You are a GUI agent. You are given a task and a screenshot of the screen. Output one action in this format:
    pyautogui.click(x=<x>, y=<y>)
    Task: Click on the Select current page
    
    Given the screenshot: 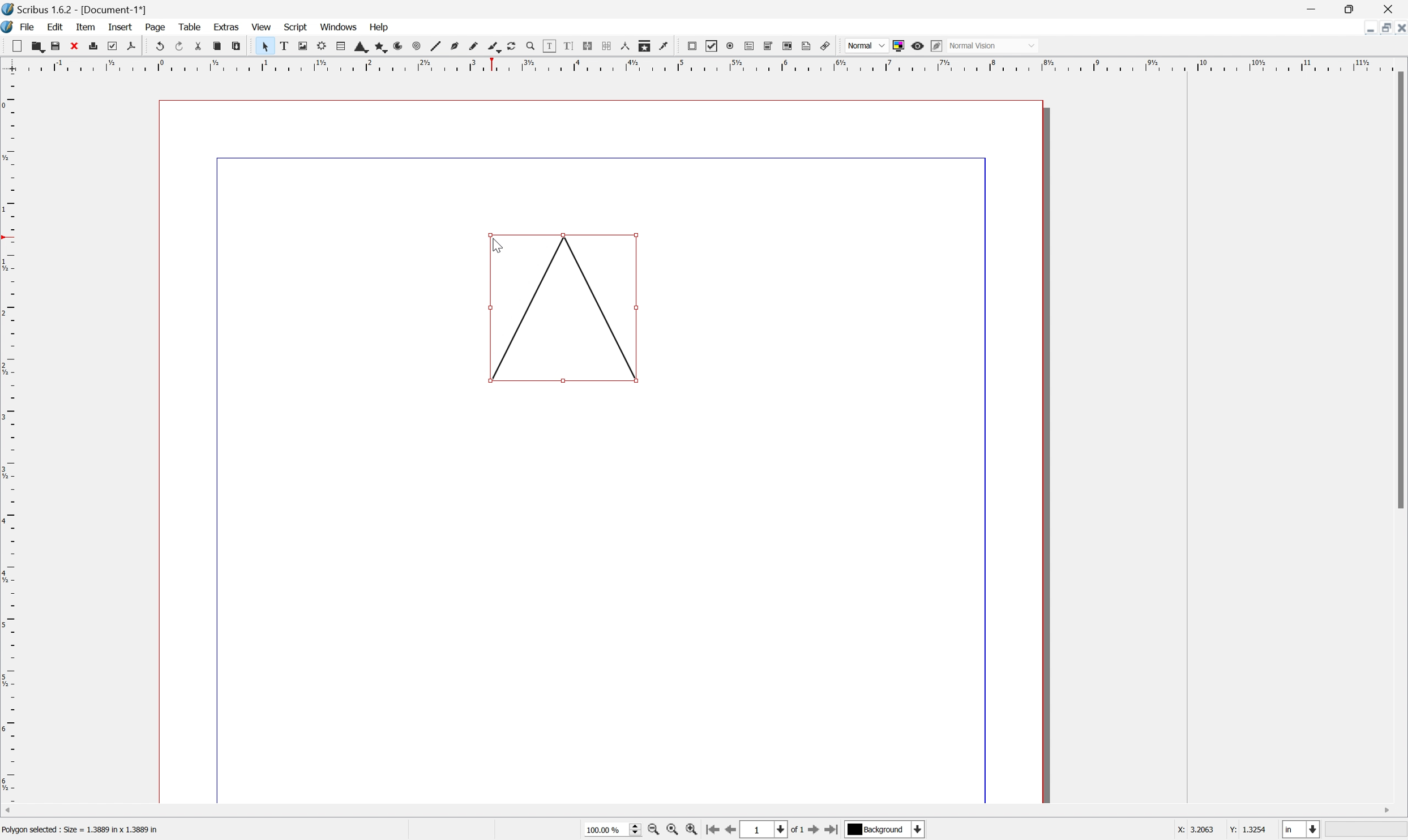 What is the action you would take?
    pyautogui.click(x=777, y=829)
    